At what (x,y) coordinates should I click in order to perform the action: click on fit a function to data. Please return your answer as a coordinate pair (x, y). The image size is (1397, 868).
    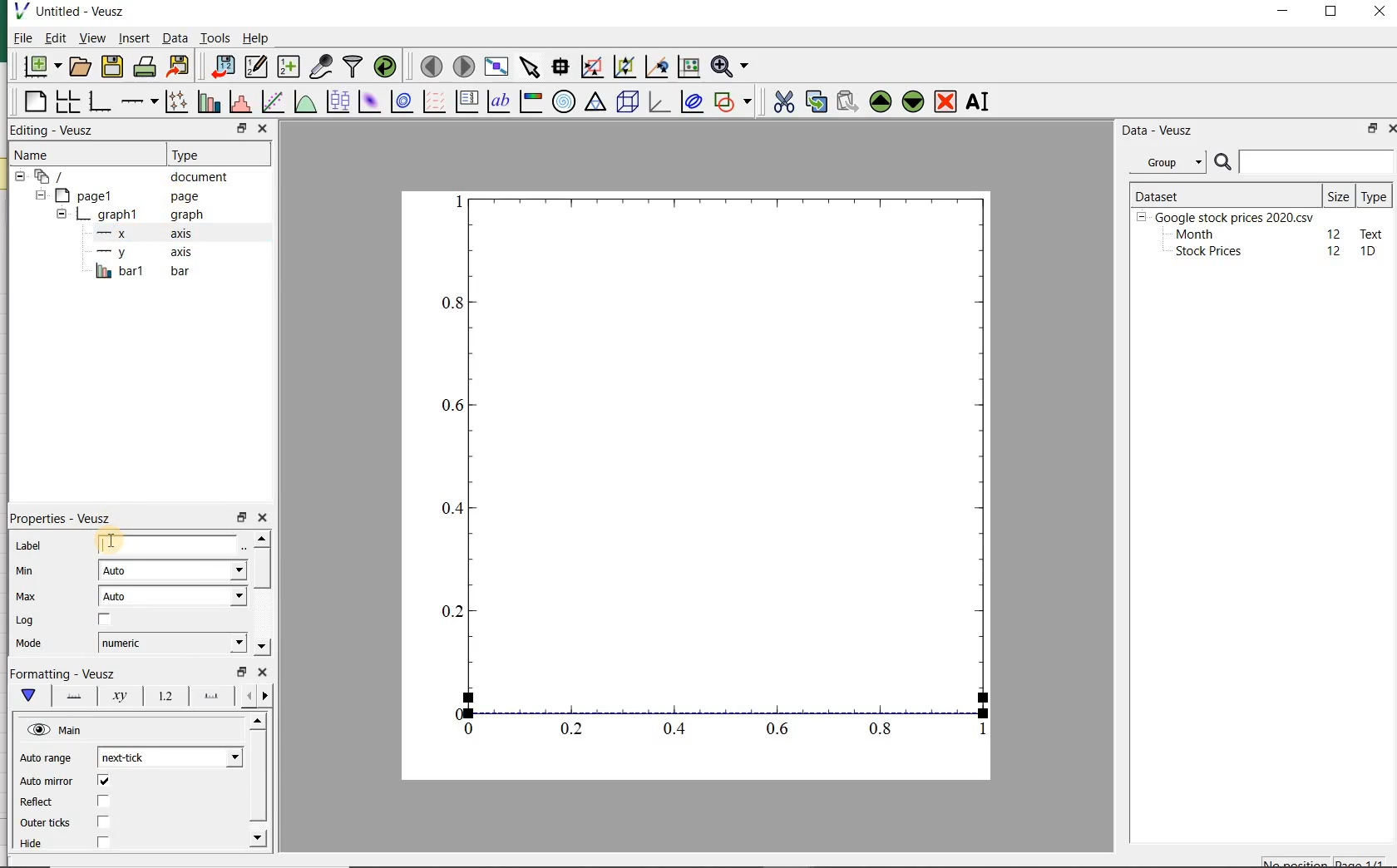
    Looking at the image, I should click on (271, 102).